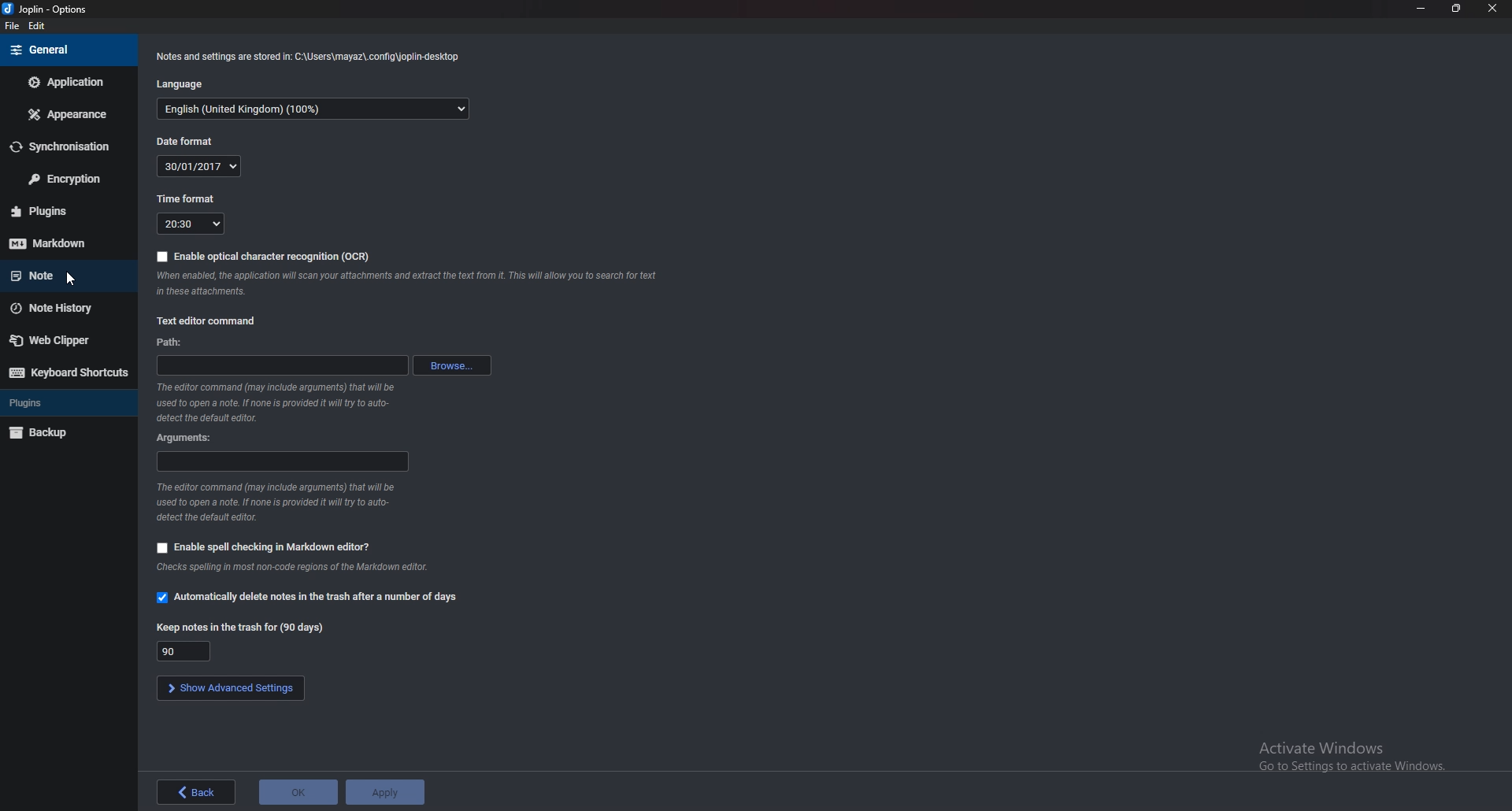 Image resolution: width=1512 pixels, height=811 pixels. I want to click on path, so click(176, 343).